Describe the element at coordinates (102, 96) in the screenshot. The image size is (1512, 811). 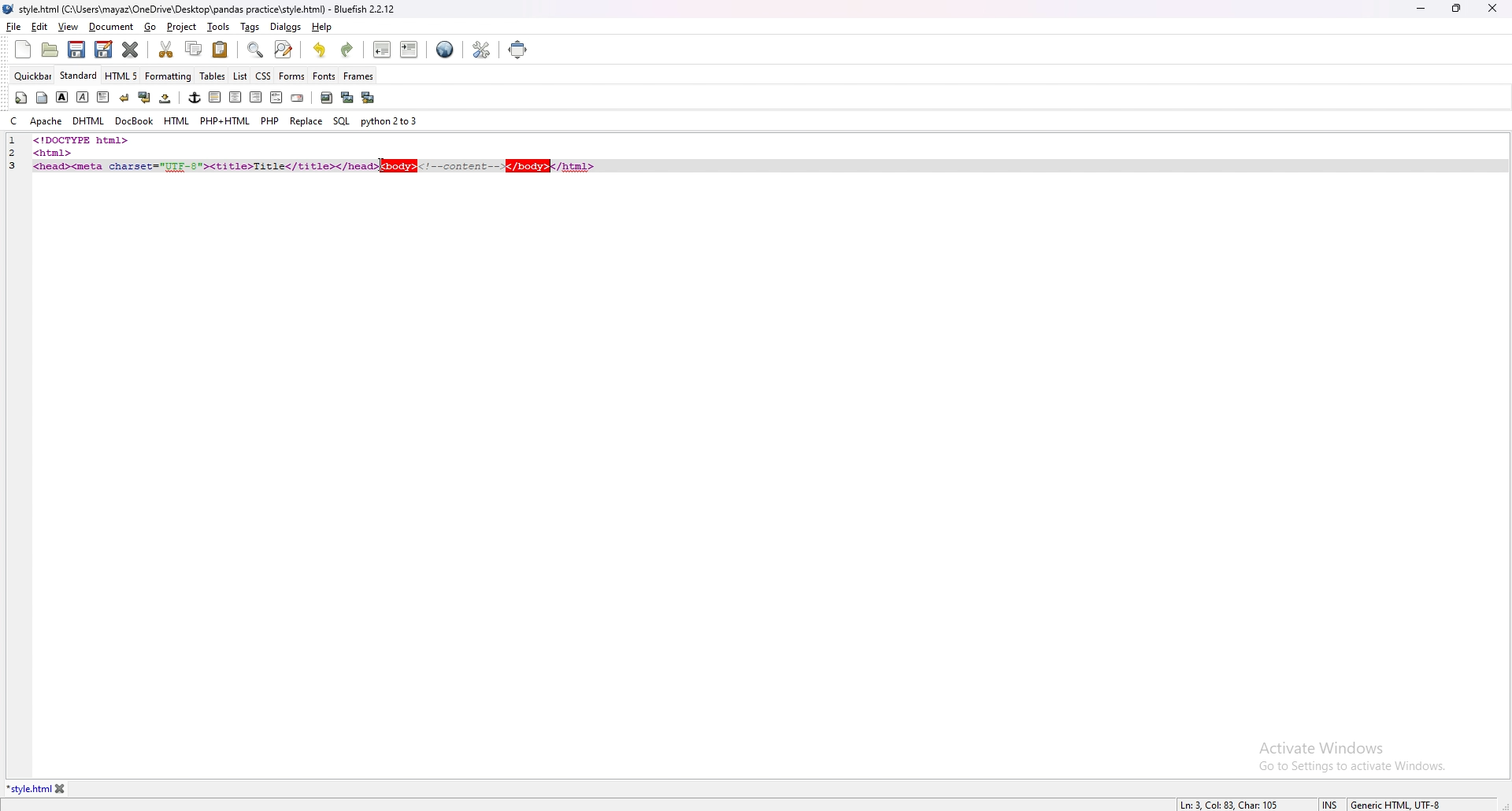
I see `paragraph` at that location.